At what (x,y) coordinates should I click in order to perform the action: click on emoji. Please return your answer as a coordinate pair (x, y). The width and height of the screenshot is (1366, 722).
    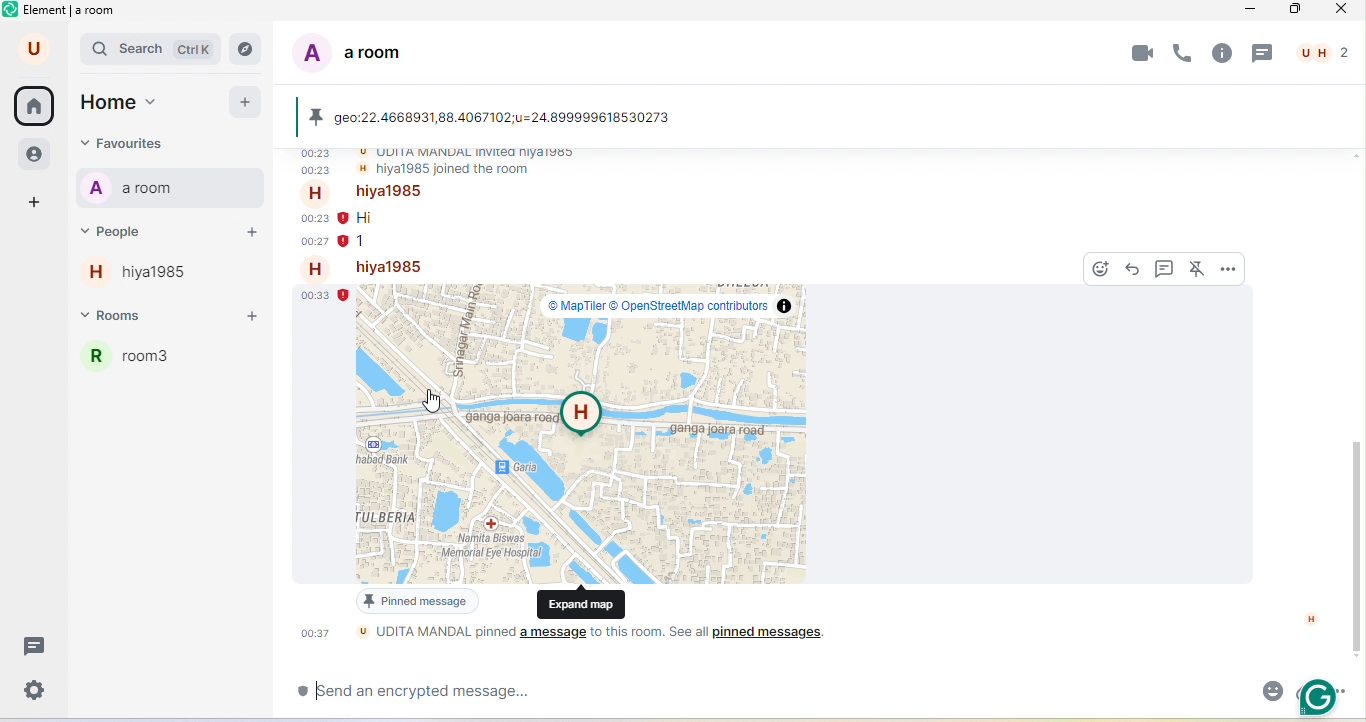
    Looking at the image, I should click on (1267, 692).